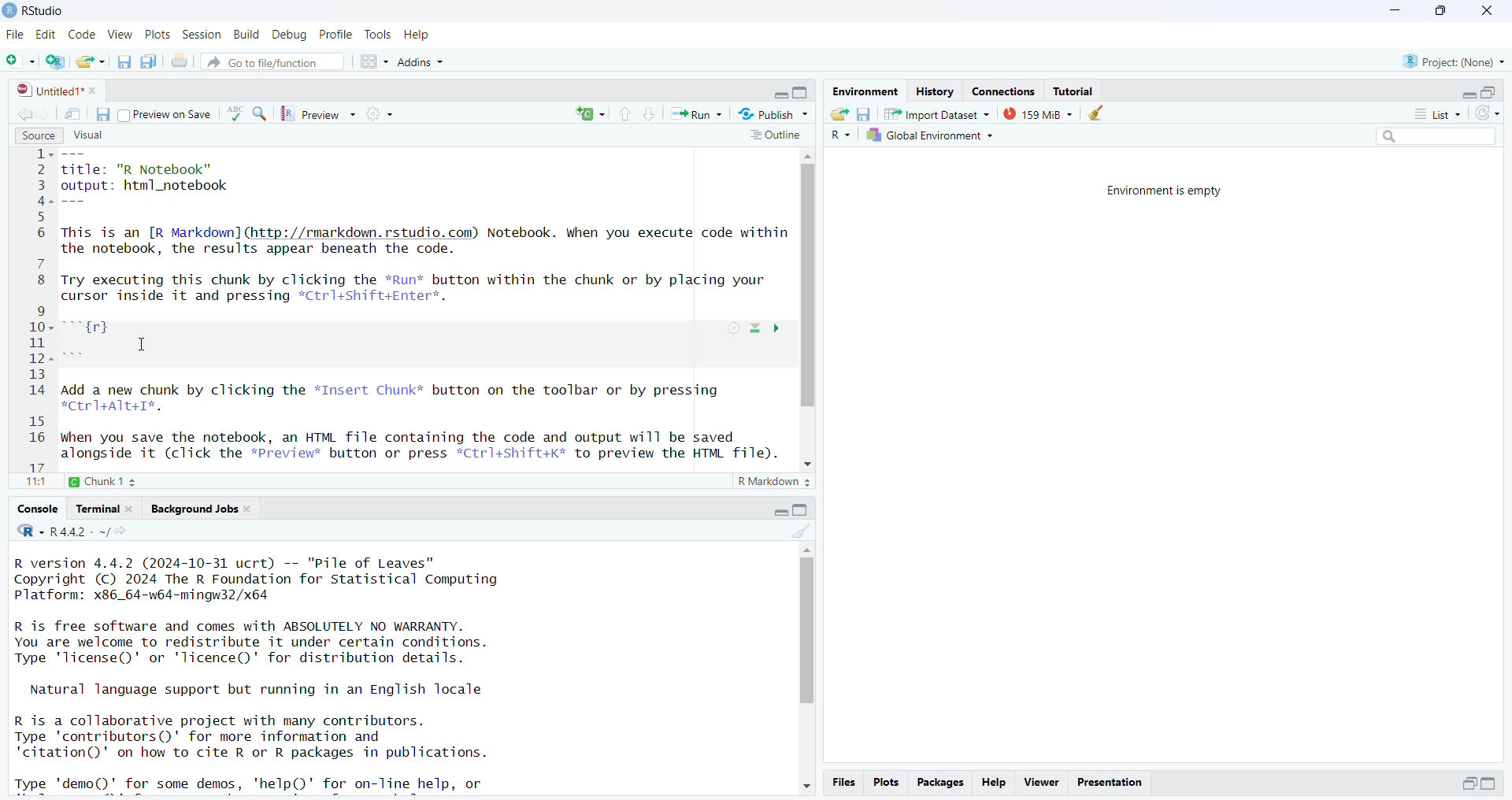  What do you see at coordinates (1487, 114) in the screenshot?
I see `refresh list` at bounding box center [1487, 114].